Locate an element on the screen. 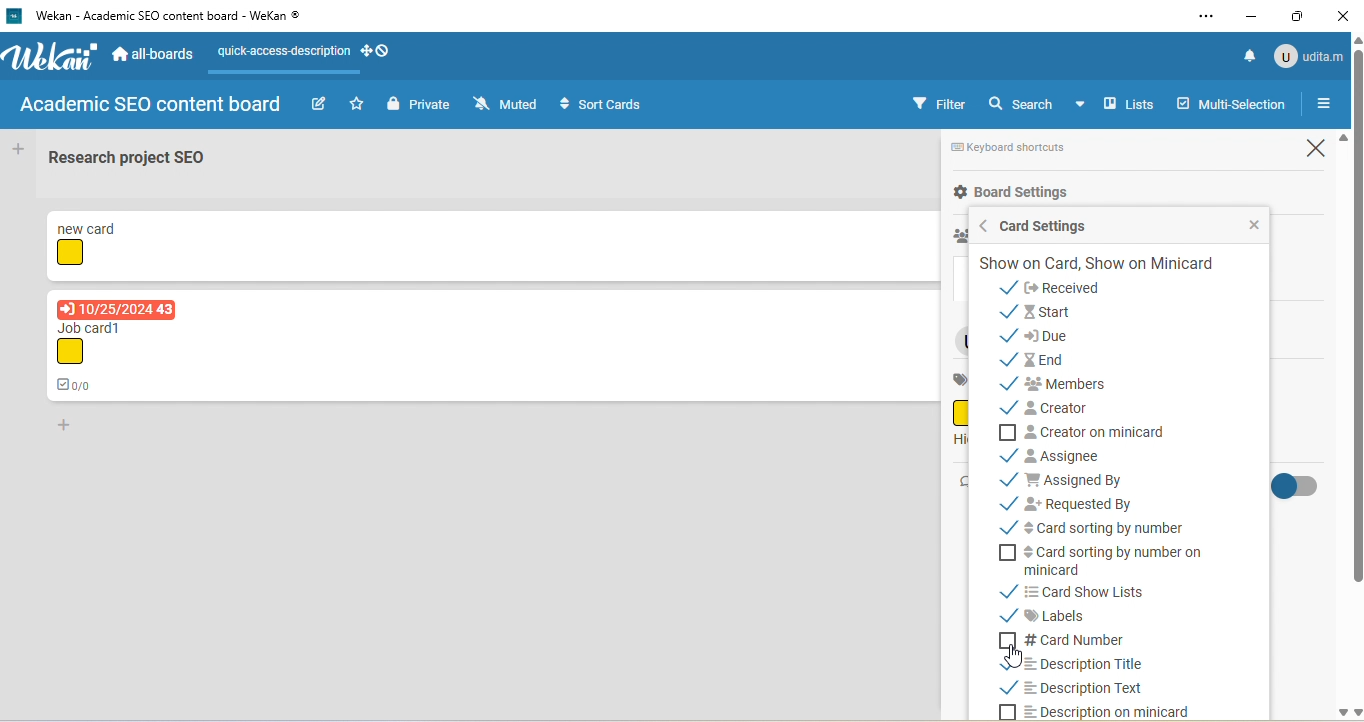 This screenshot has height=722, width=1364. close is located at coordinates (1346, 15).